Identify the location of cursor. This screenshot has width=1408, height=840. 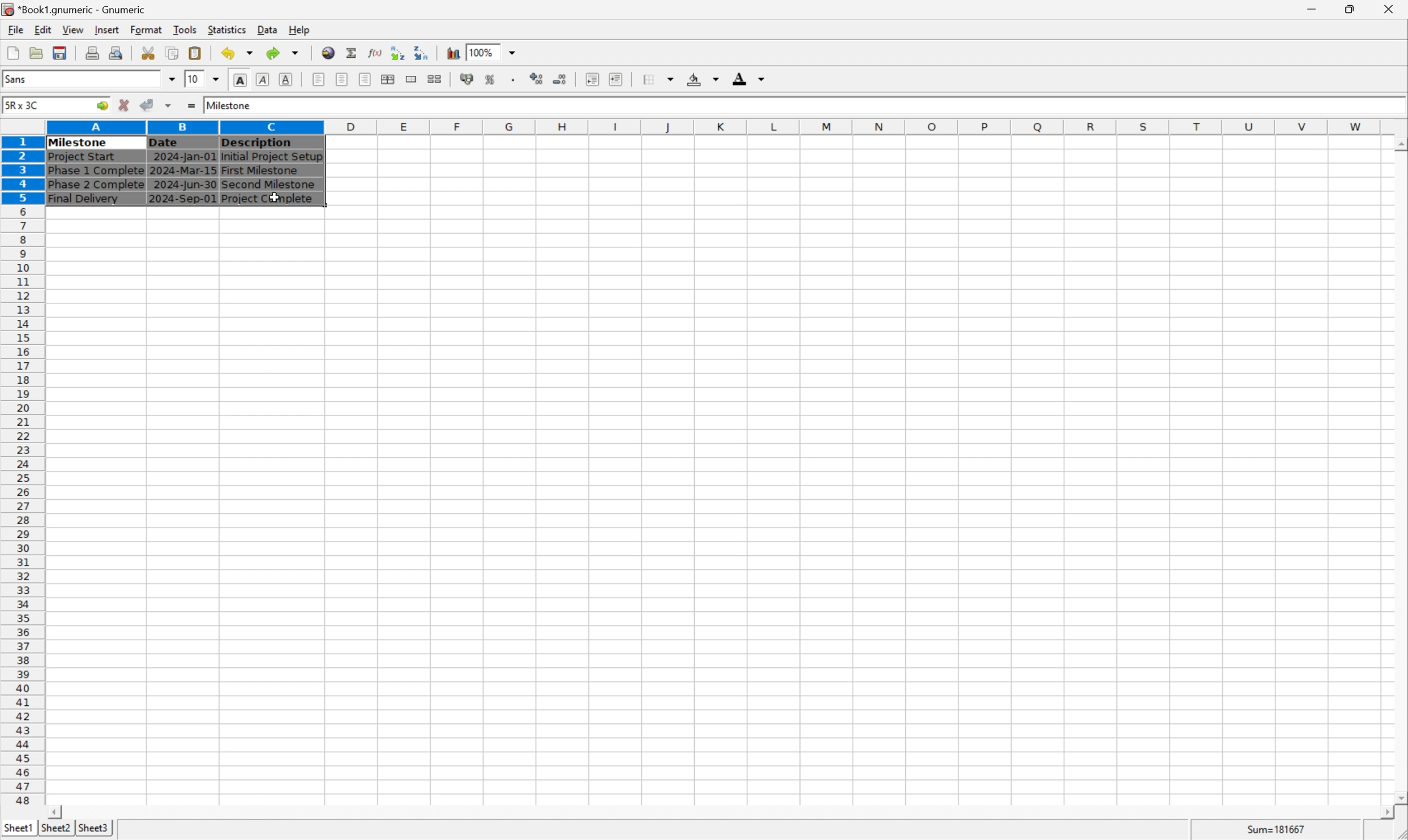
(274, 197).